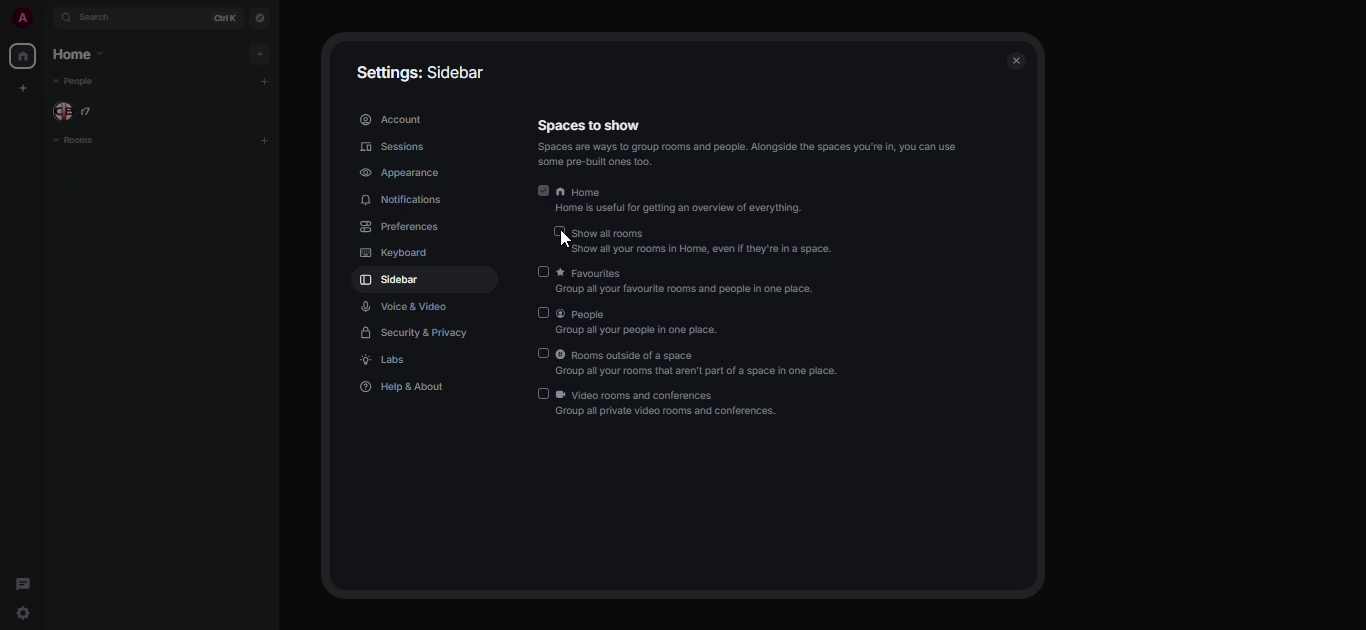 This screenshot has width=1366, height=630. Describe the element at coordinates (592, 126) in the screenshot. I see `spaces to show` at that location.